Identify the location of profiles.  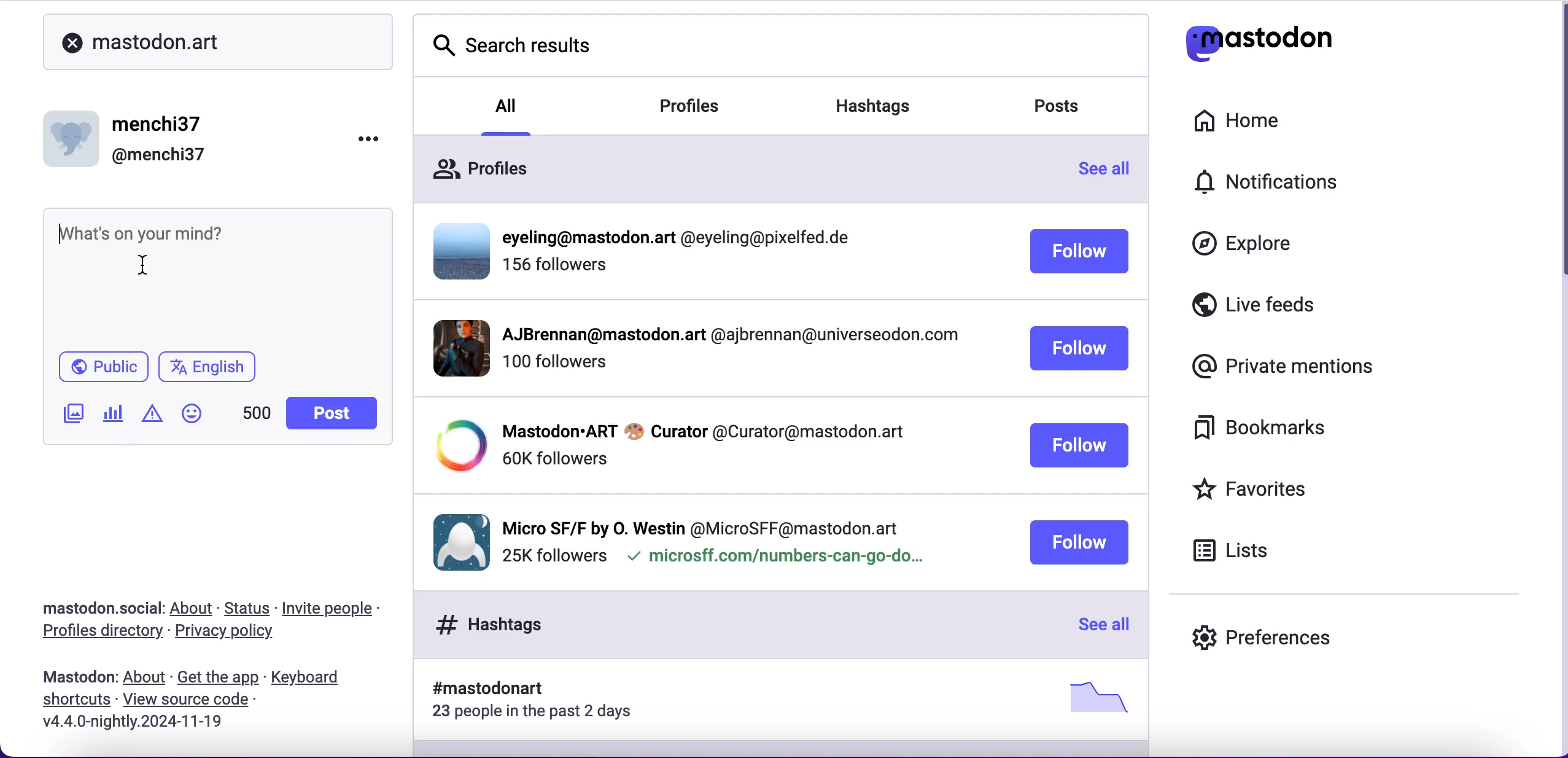
(489, 165).